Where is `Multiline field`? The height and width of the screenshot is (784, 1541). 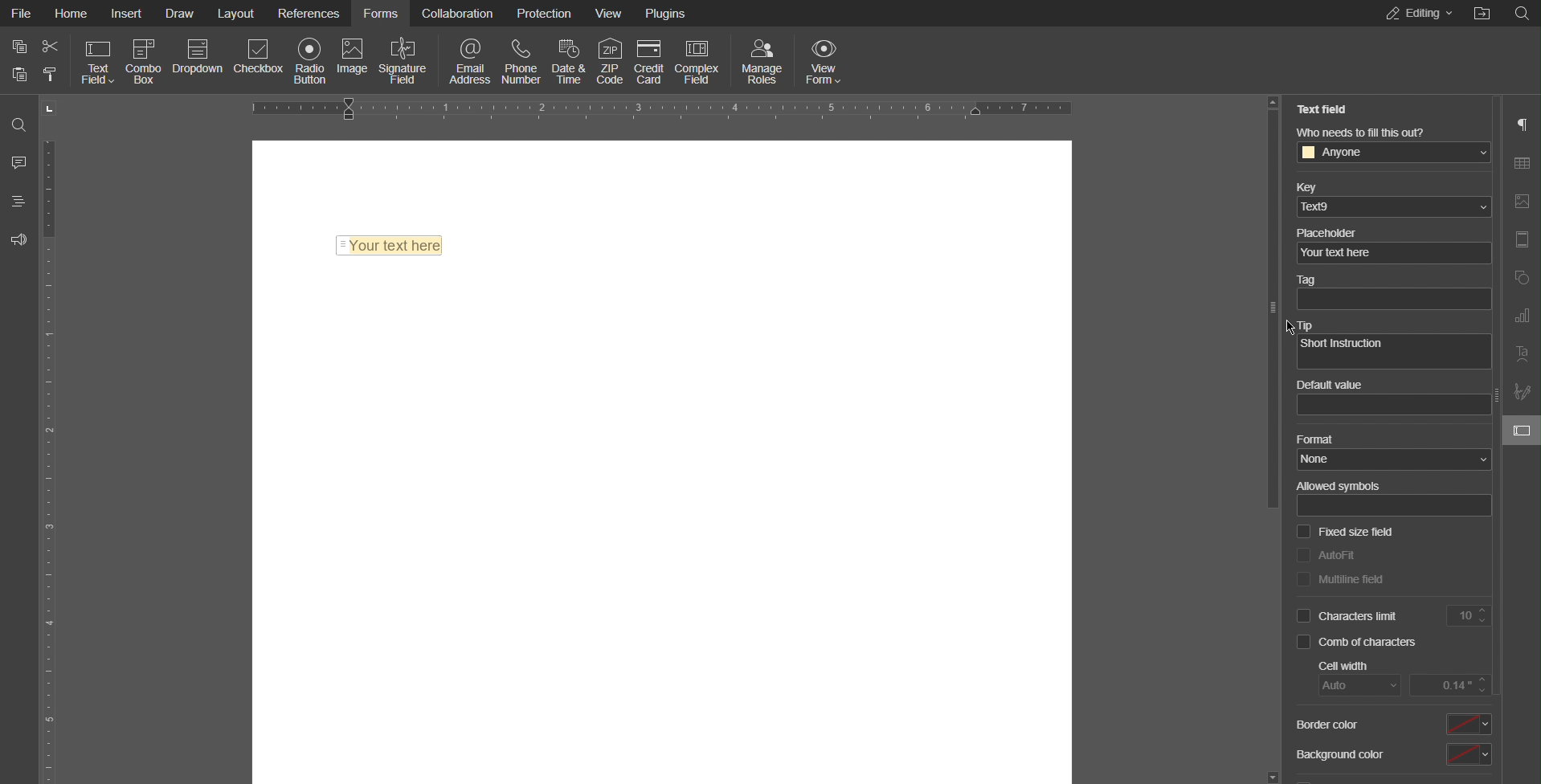
Multiline field is located at coordinates (1351, 578).